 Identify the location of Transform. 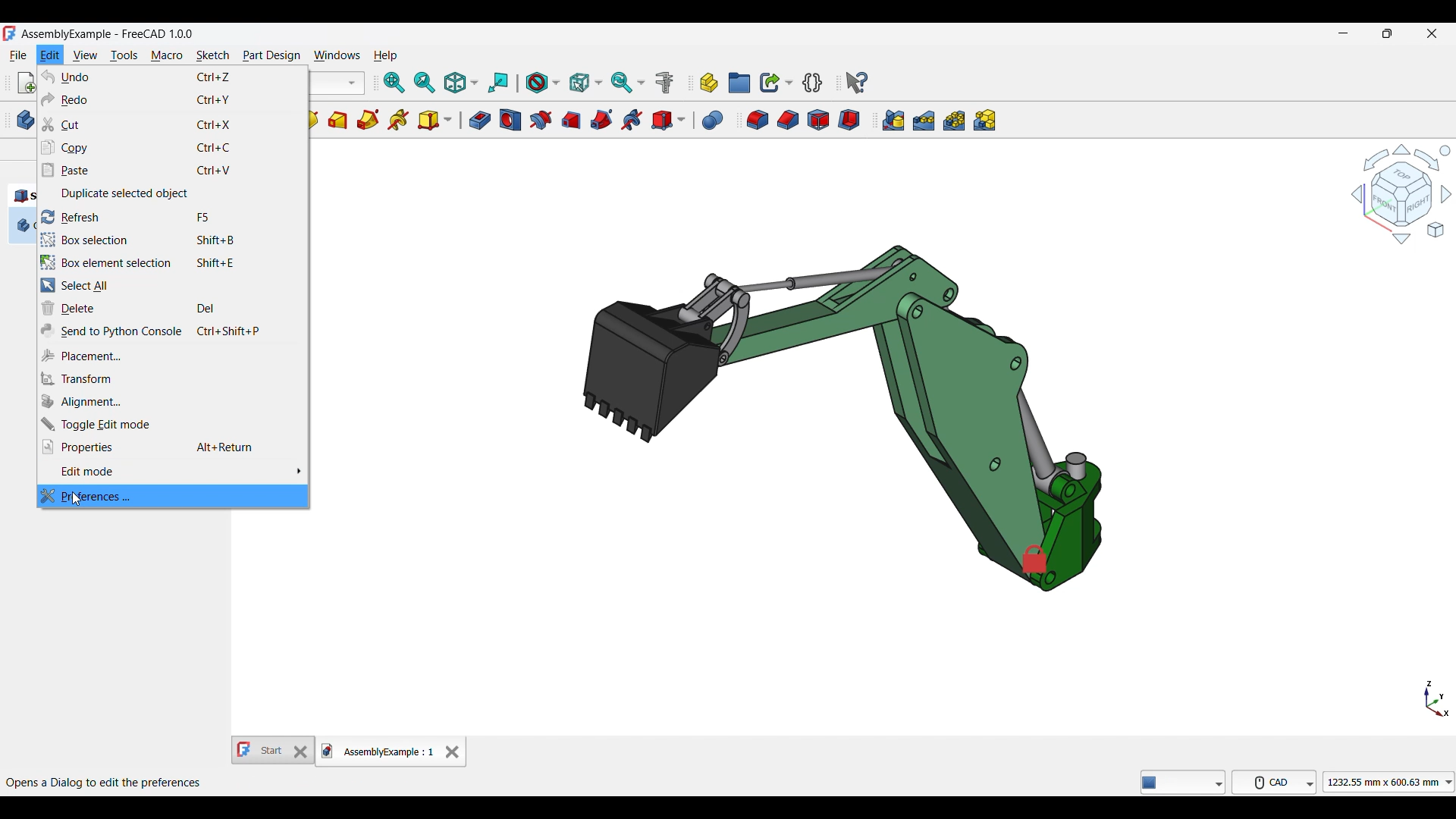
(173, 379).